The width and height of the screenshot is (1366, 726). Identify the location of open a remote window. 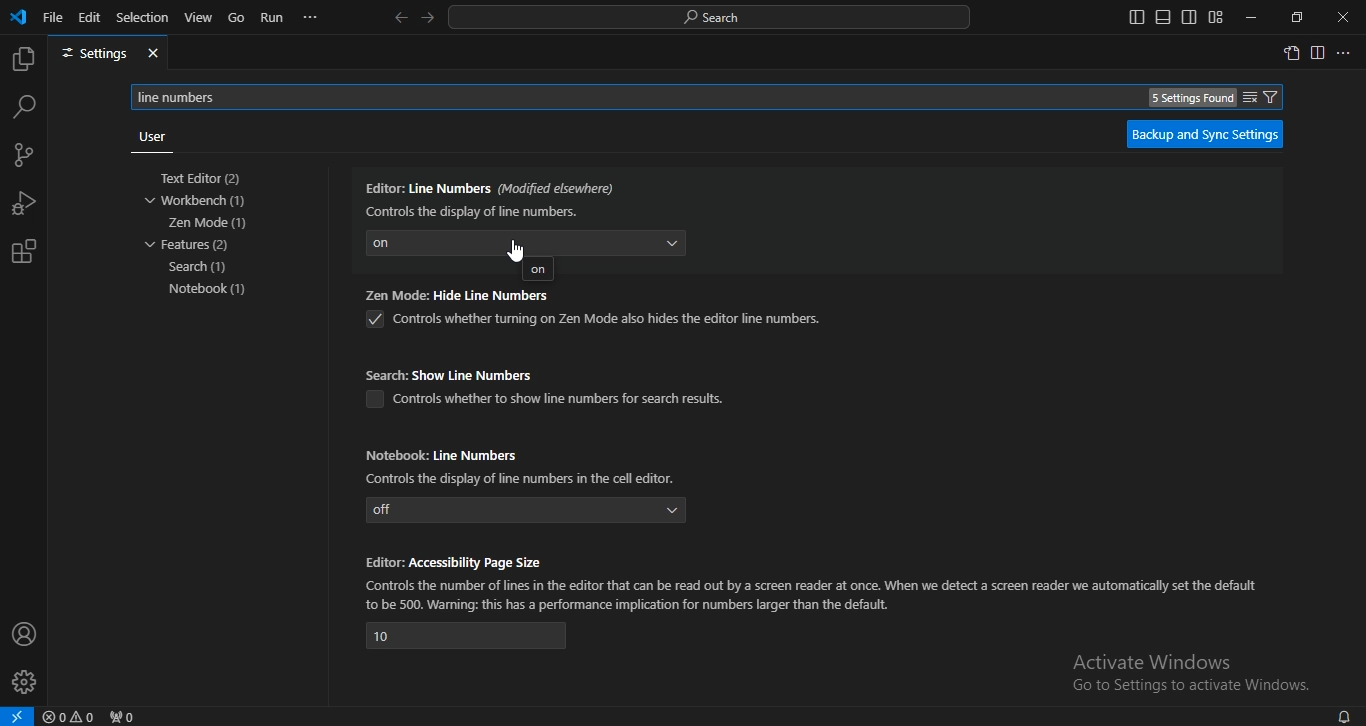
(17, 716).